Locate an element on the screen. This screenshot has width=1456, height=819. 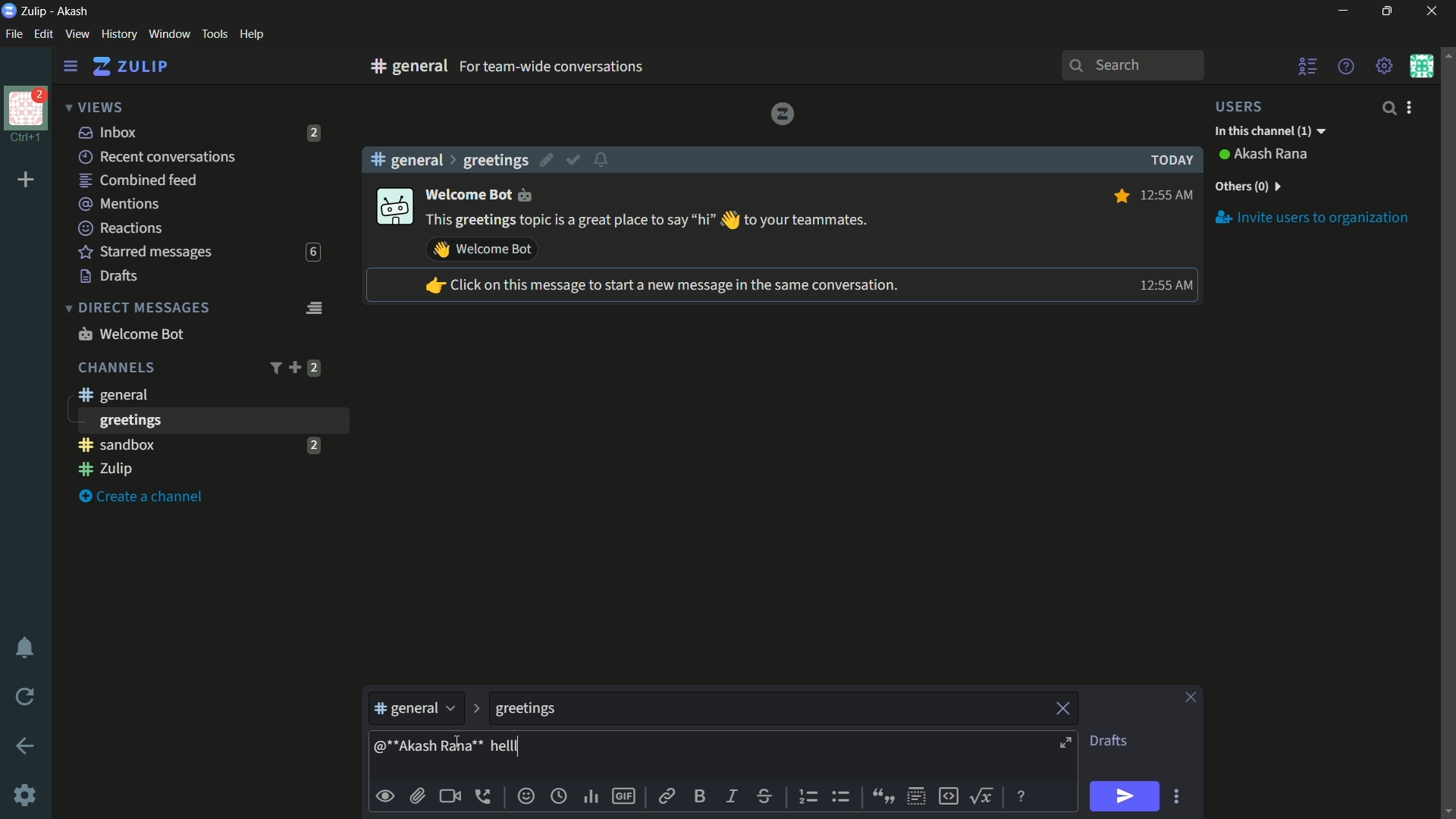
window menu is located at coordinates (169, 34).